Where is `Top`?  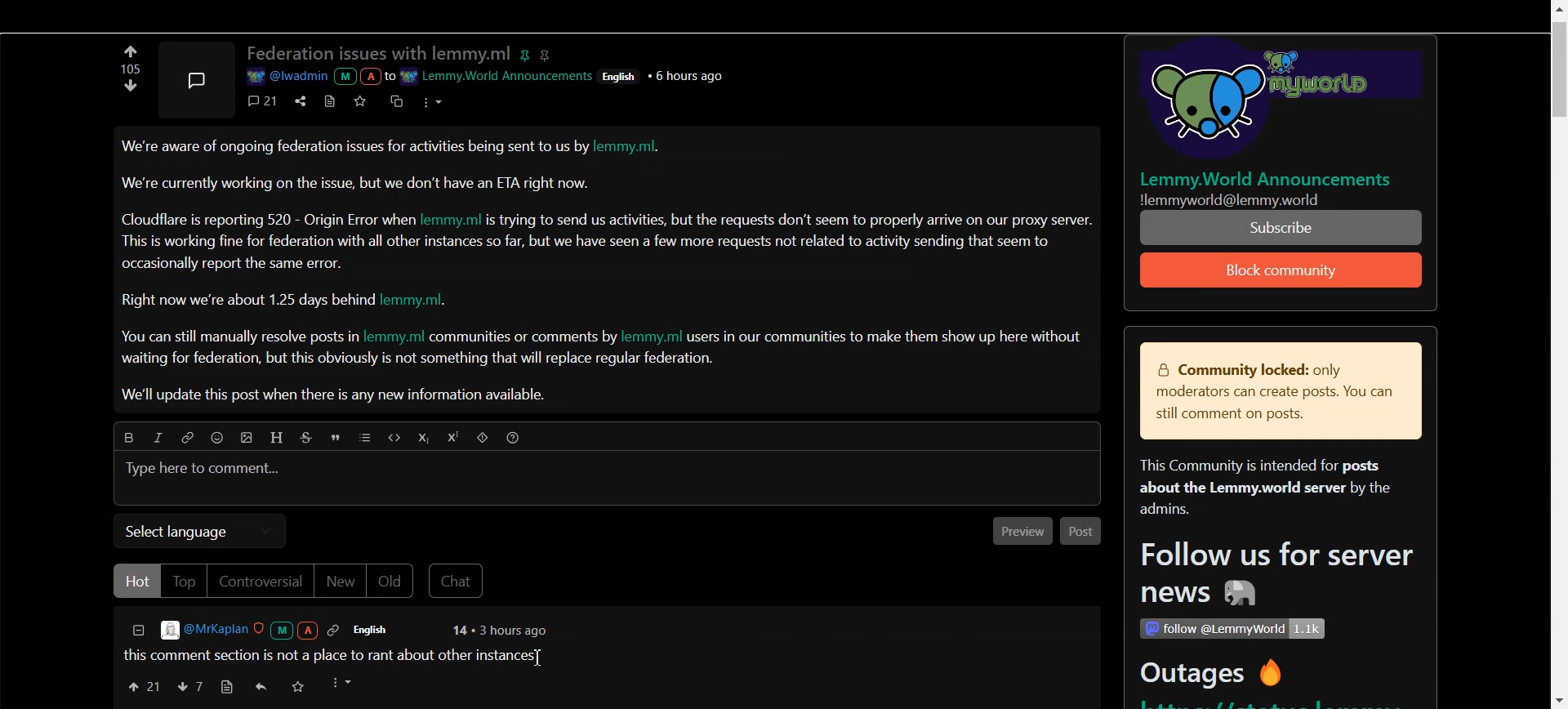 Top is located at coordinates (183, 581).